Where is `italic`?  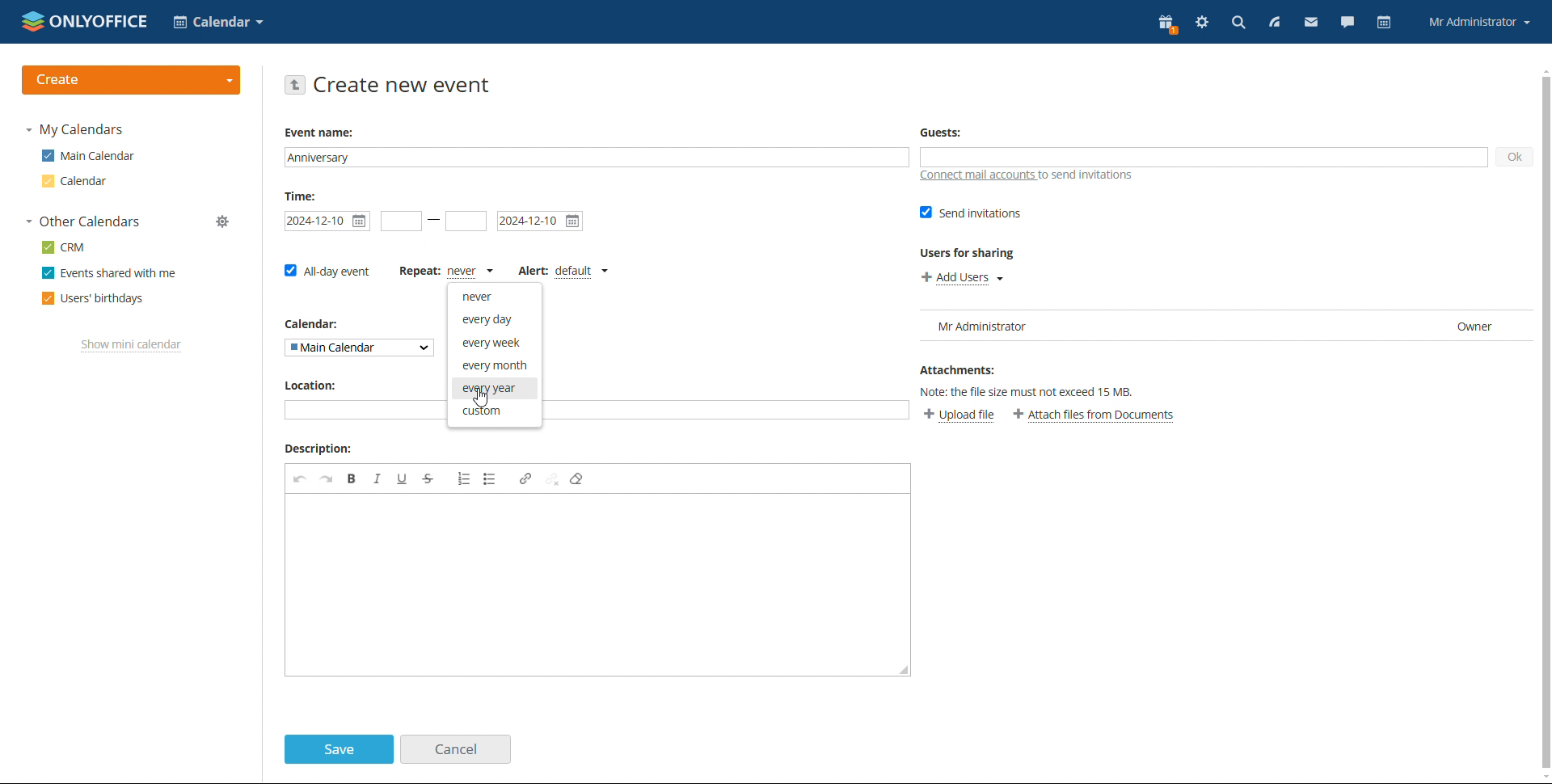
italic is located at coordinates (377, 478).